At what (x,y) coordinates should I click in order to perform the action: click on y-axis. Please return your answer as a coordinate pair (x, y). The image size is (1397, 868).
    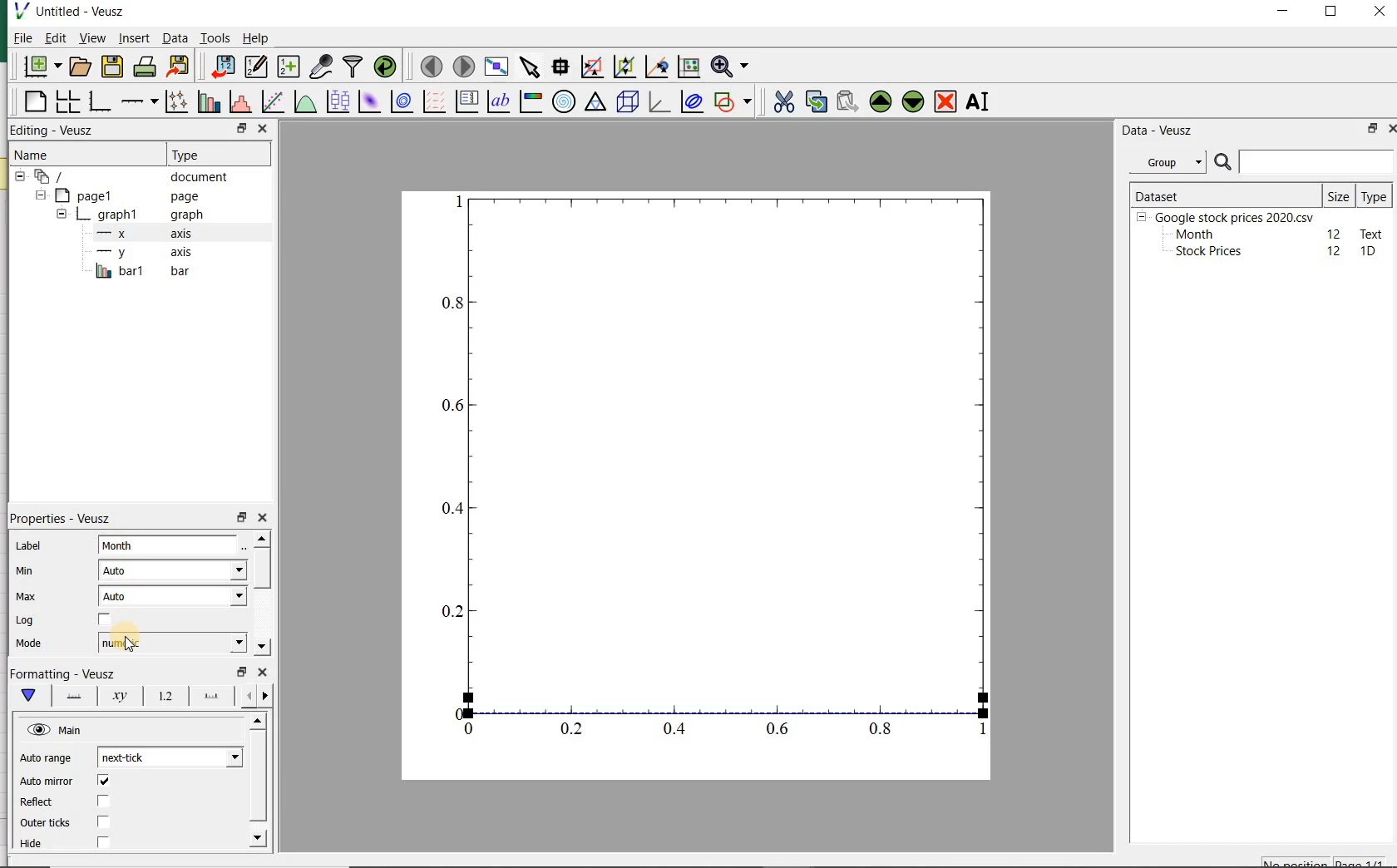
    Looking at the image, I should click on (141, 253).